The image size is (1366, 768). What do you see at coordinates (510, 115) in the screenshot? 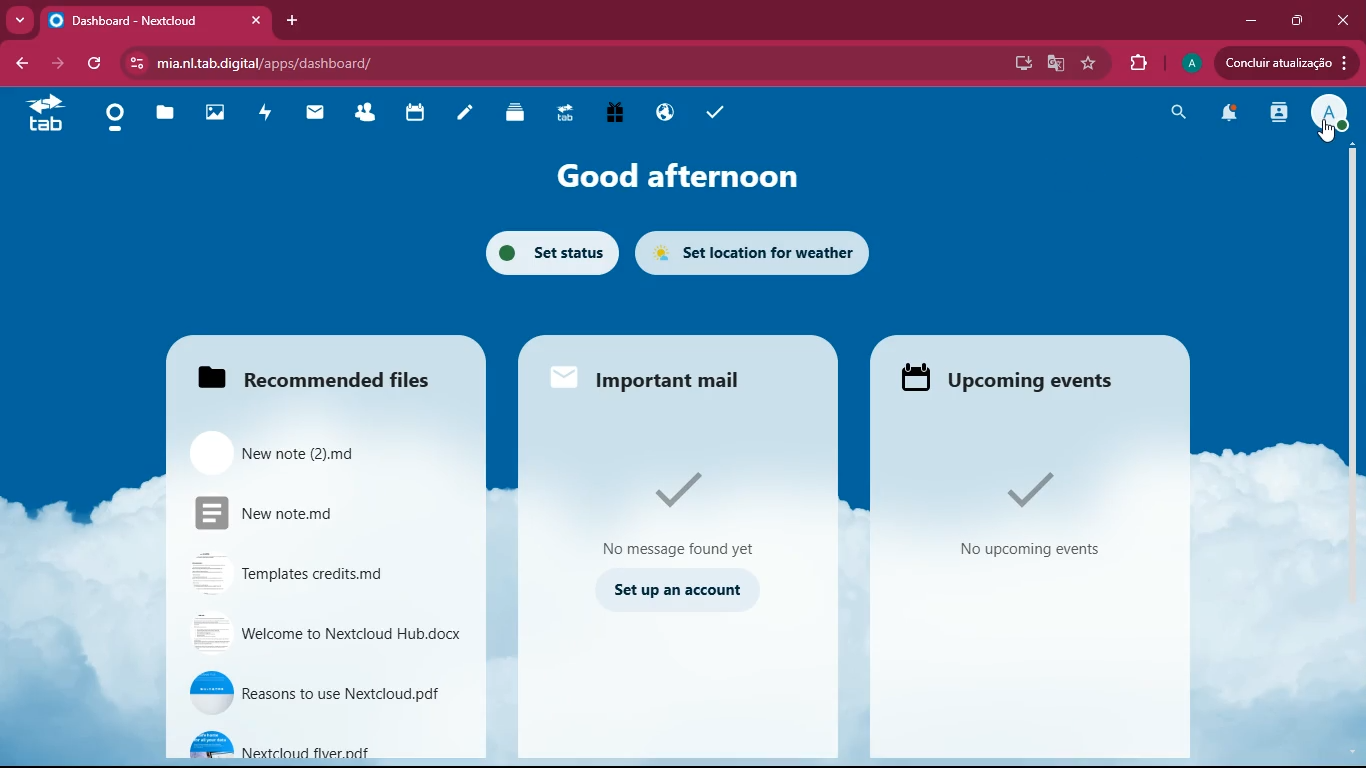
I see `layers` at bounding box center [510, 115].